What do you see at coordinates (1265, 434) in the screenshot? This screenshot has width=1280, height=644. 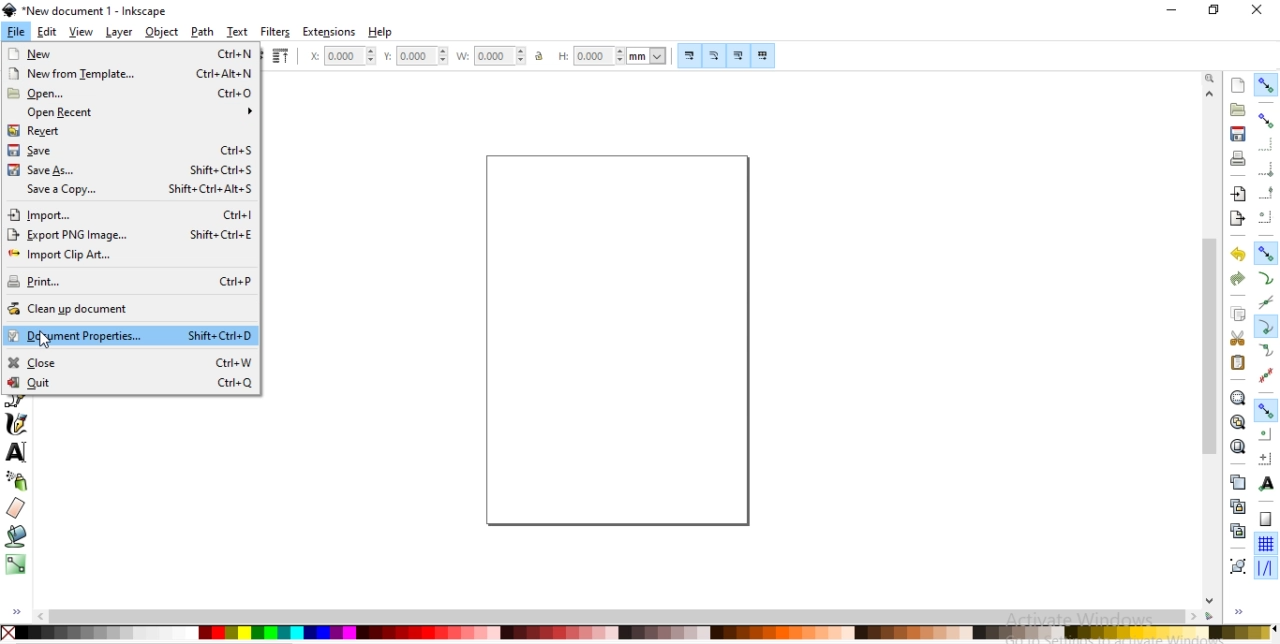 I see `snap centers of objects` at bounding box center [1265, 434].